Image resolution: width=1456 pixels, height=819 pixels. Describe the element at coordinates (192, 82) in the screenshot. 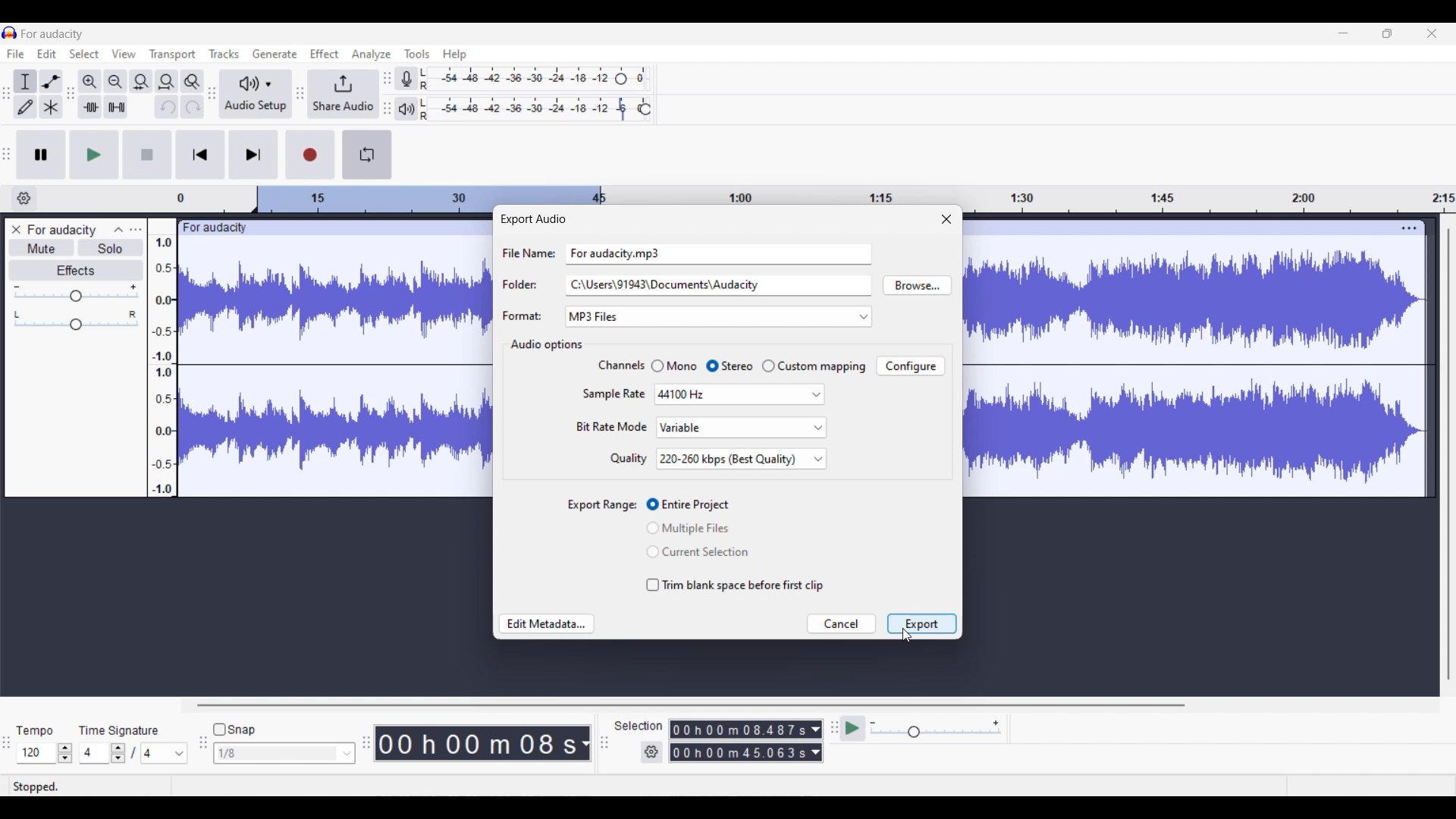

I see `Zoom toggle` at that location.